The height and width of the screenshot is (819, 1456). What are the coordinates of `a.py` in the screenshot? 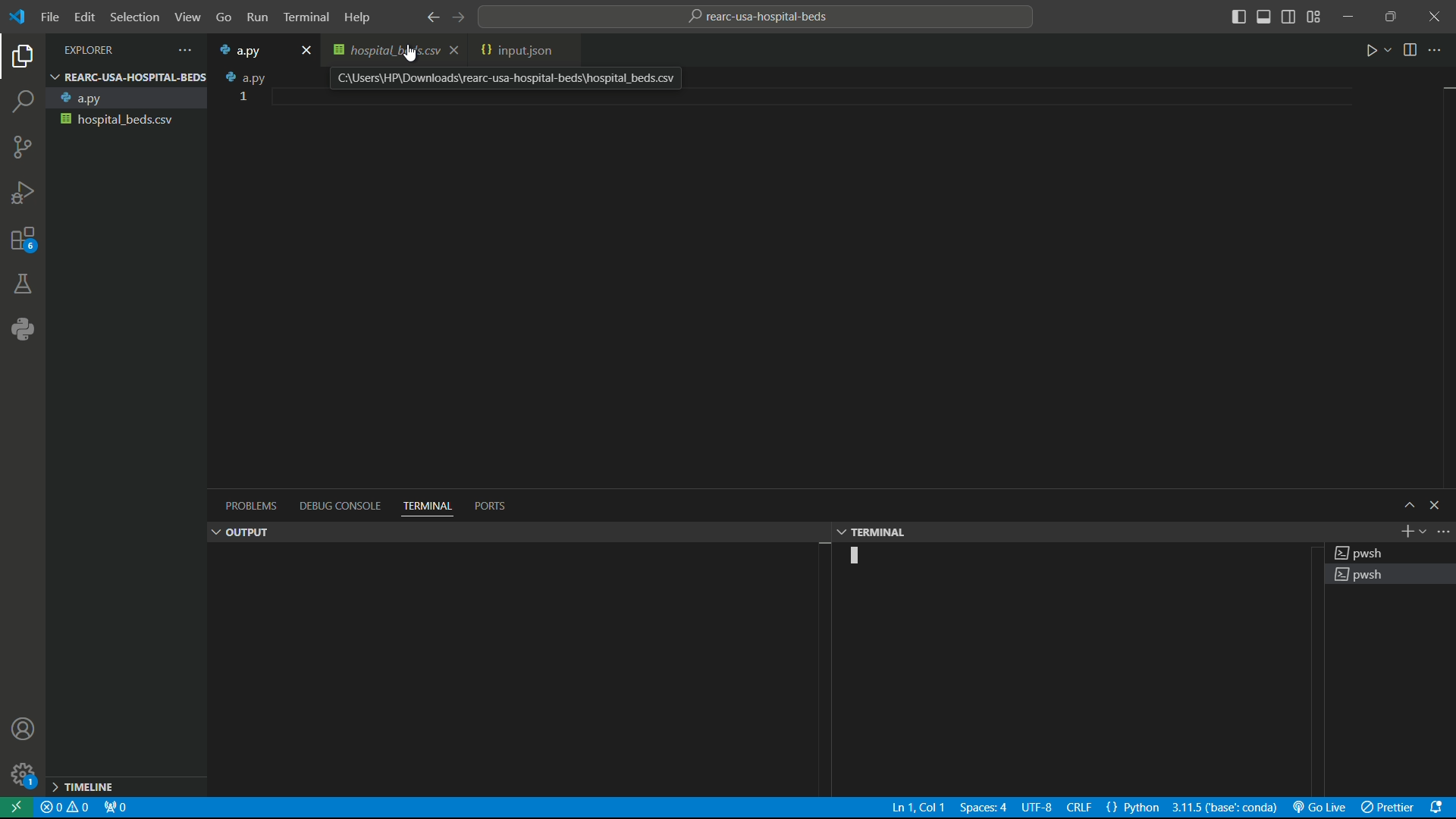 It's located at (247, 77).